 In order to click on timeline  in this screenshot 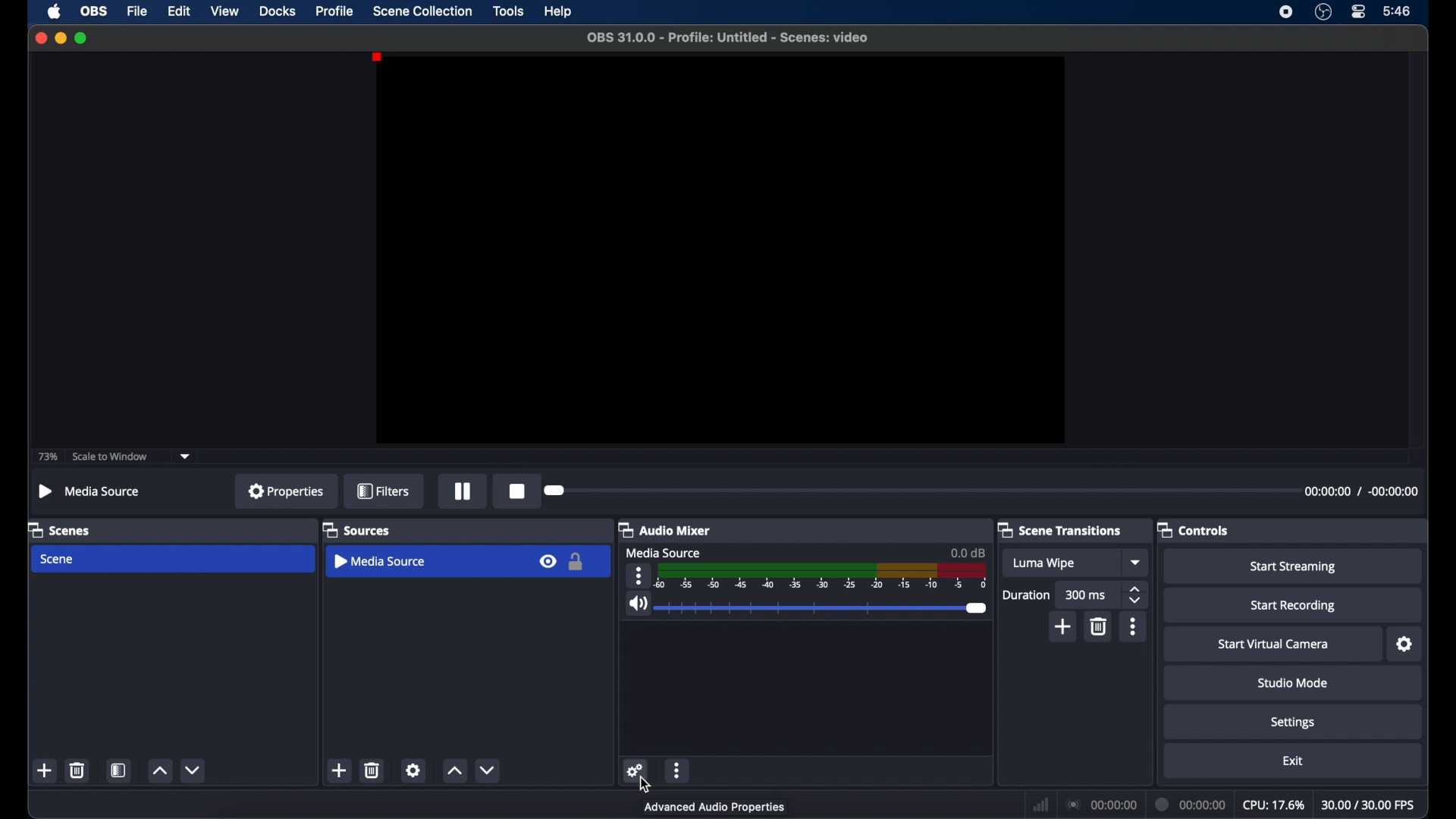, I will do `click(822, 576)`.